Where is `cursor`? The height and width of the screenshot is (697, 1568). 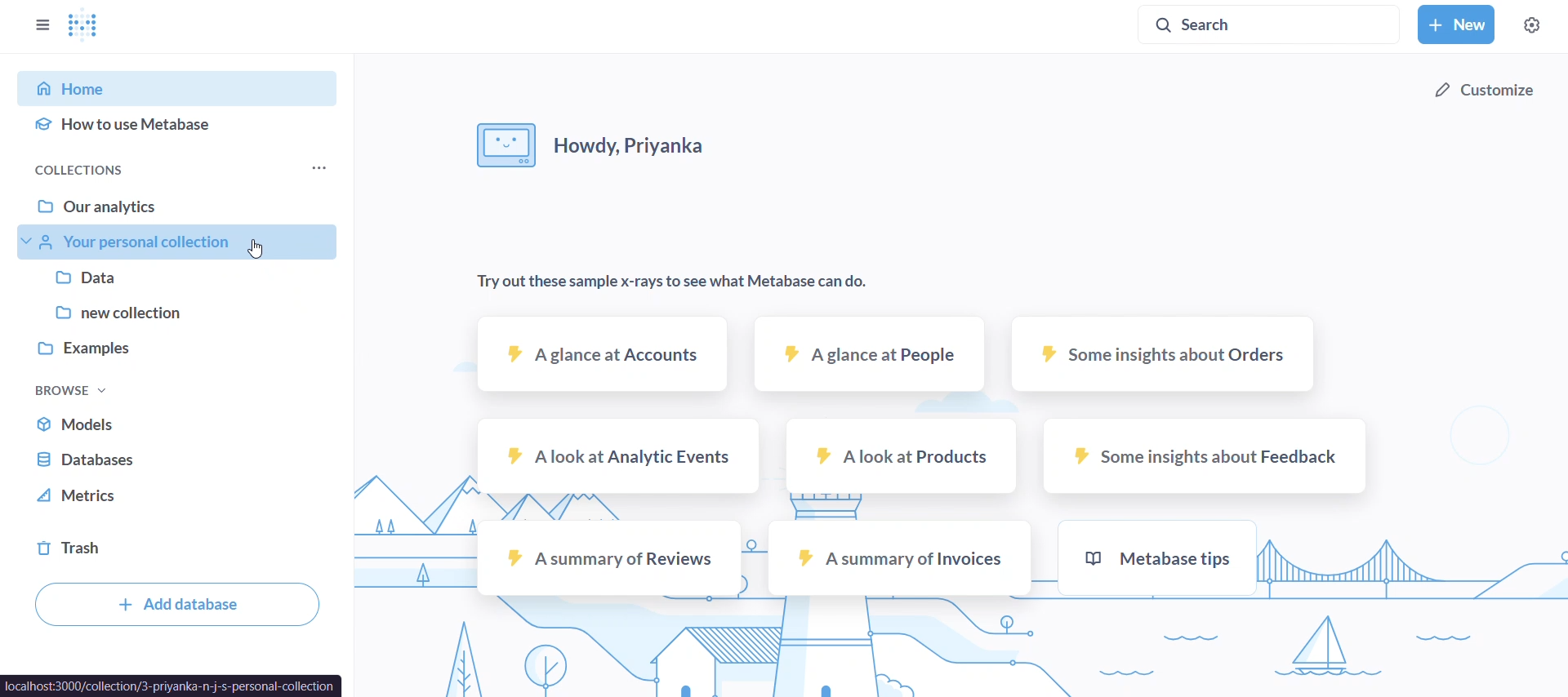 cursor is located at coordinates (260, 249).